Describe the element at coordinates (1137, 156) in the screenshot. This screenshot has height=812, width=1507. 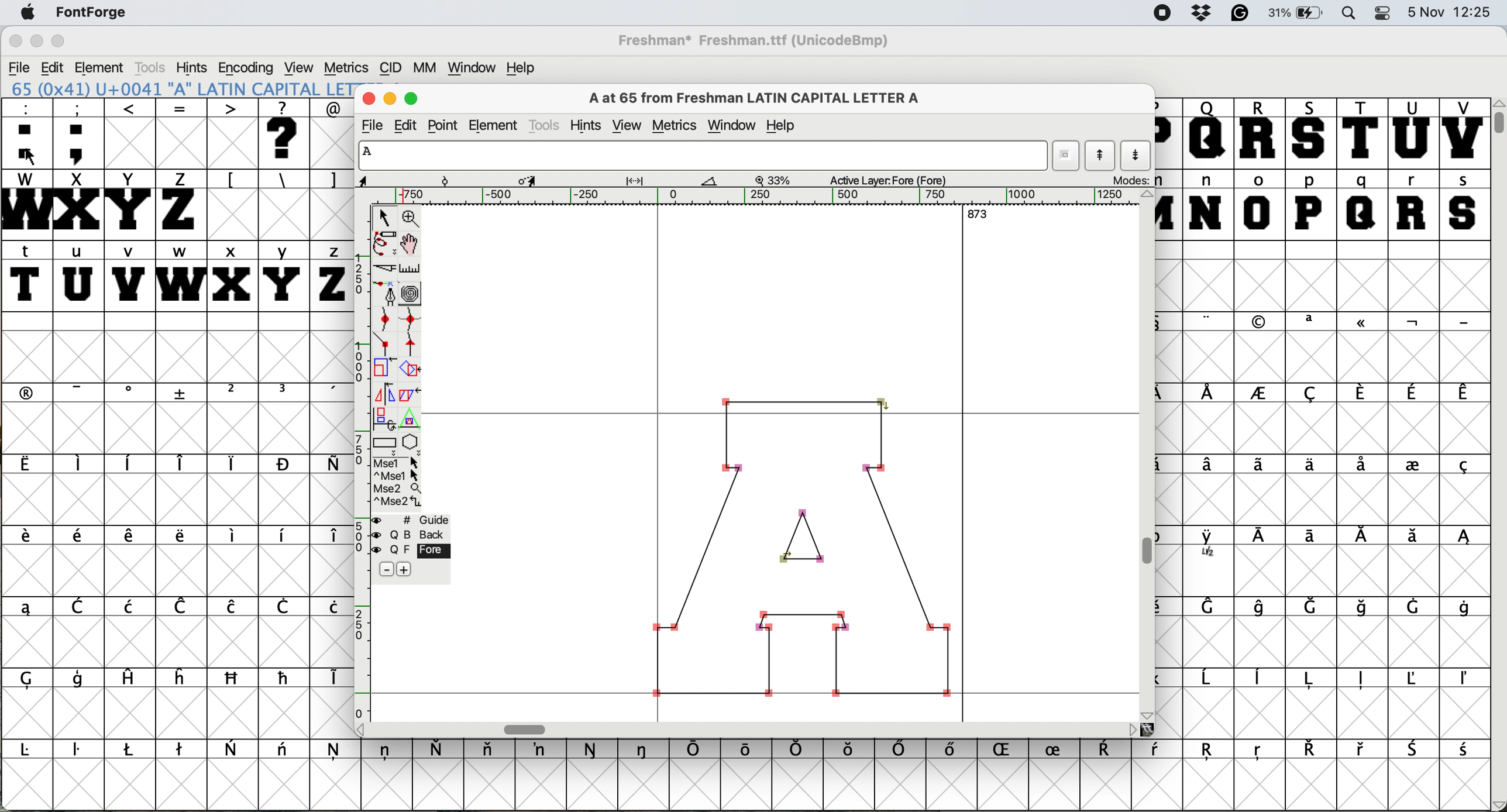
I see `show next character` at that location.